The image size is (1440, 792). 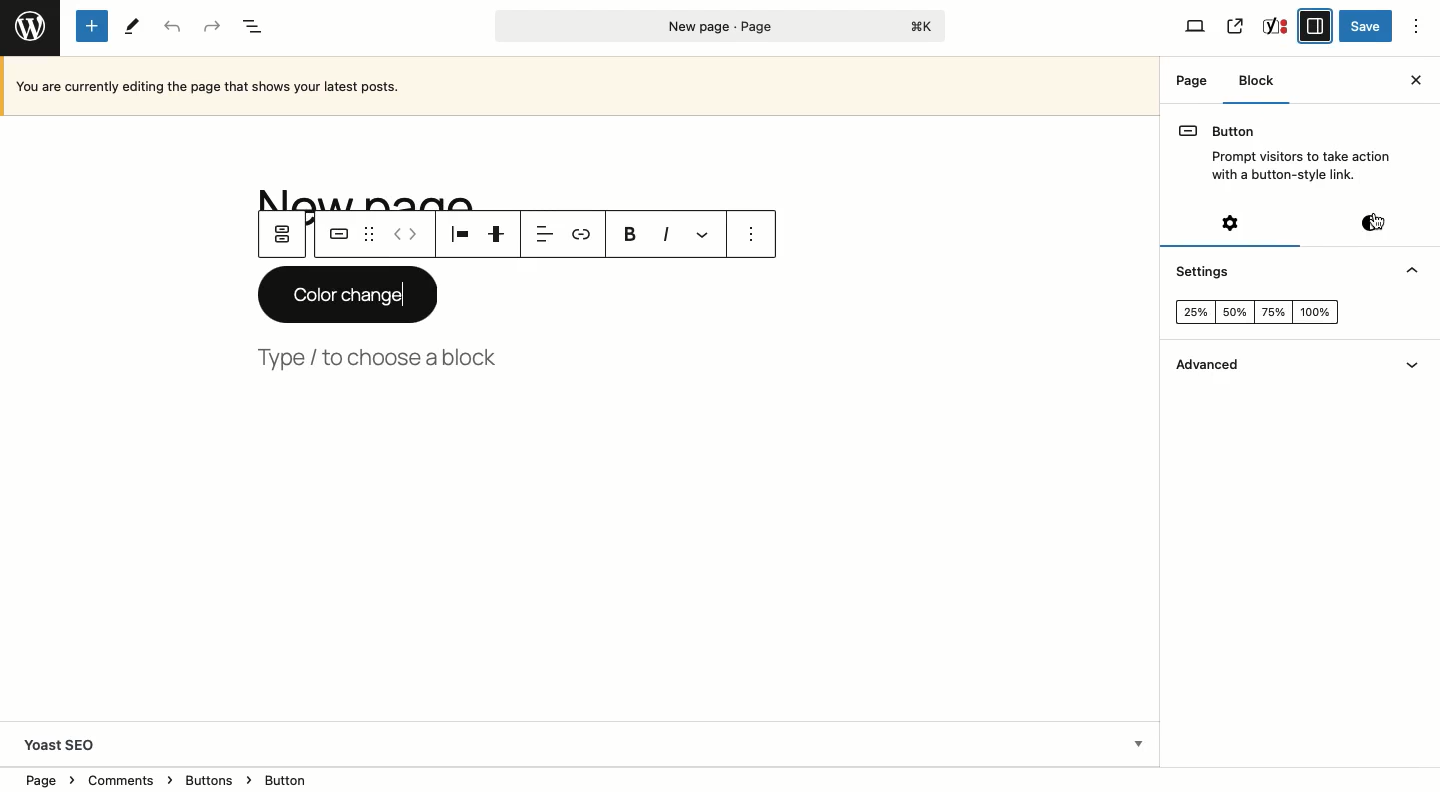 What do you see at coordinates (497, 233) in the screenshot?
I see `Justification` at bounding box center [497, 233].